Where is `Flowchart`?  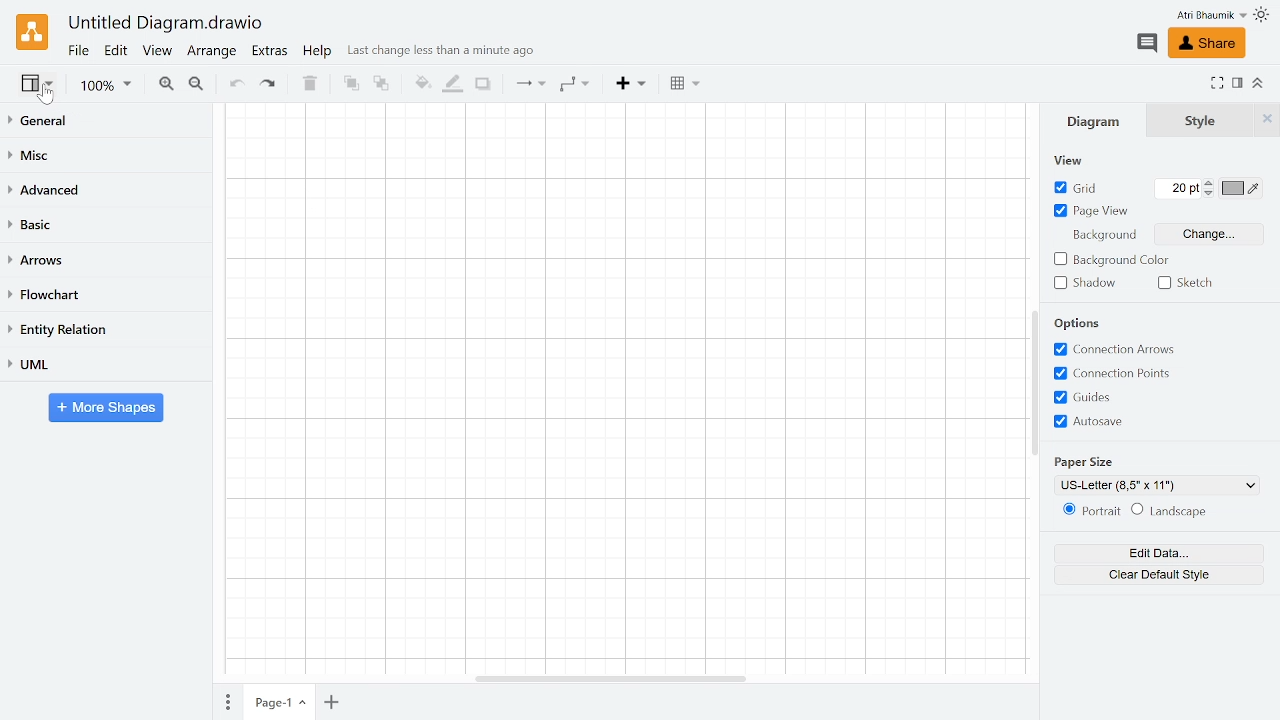 Flowchart is located at coordinates (103, 294).